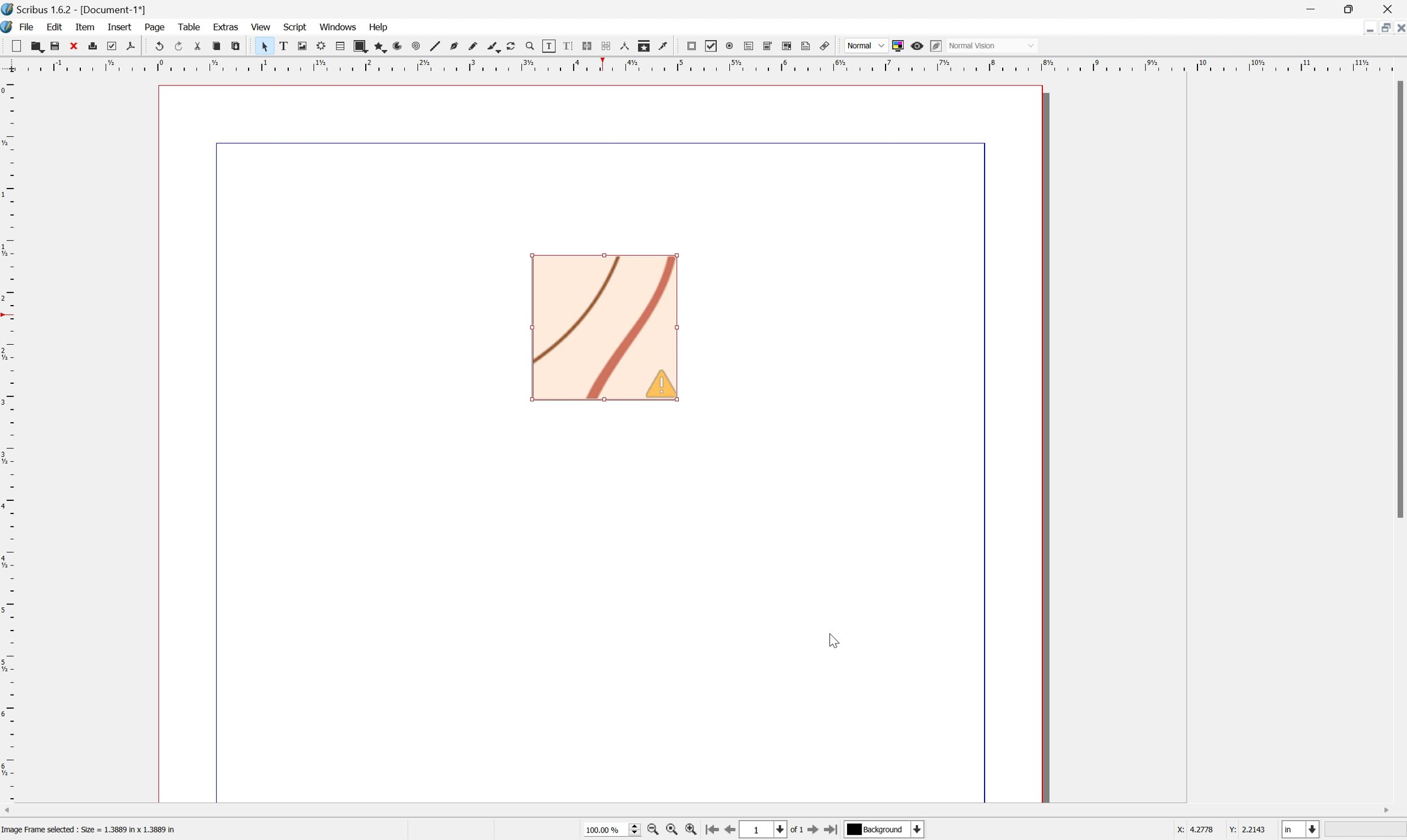  I want to click on Edit text with story editor, so click(568, 46).